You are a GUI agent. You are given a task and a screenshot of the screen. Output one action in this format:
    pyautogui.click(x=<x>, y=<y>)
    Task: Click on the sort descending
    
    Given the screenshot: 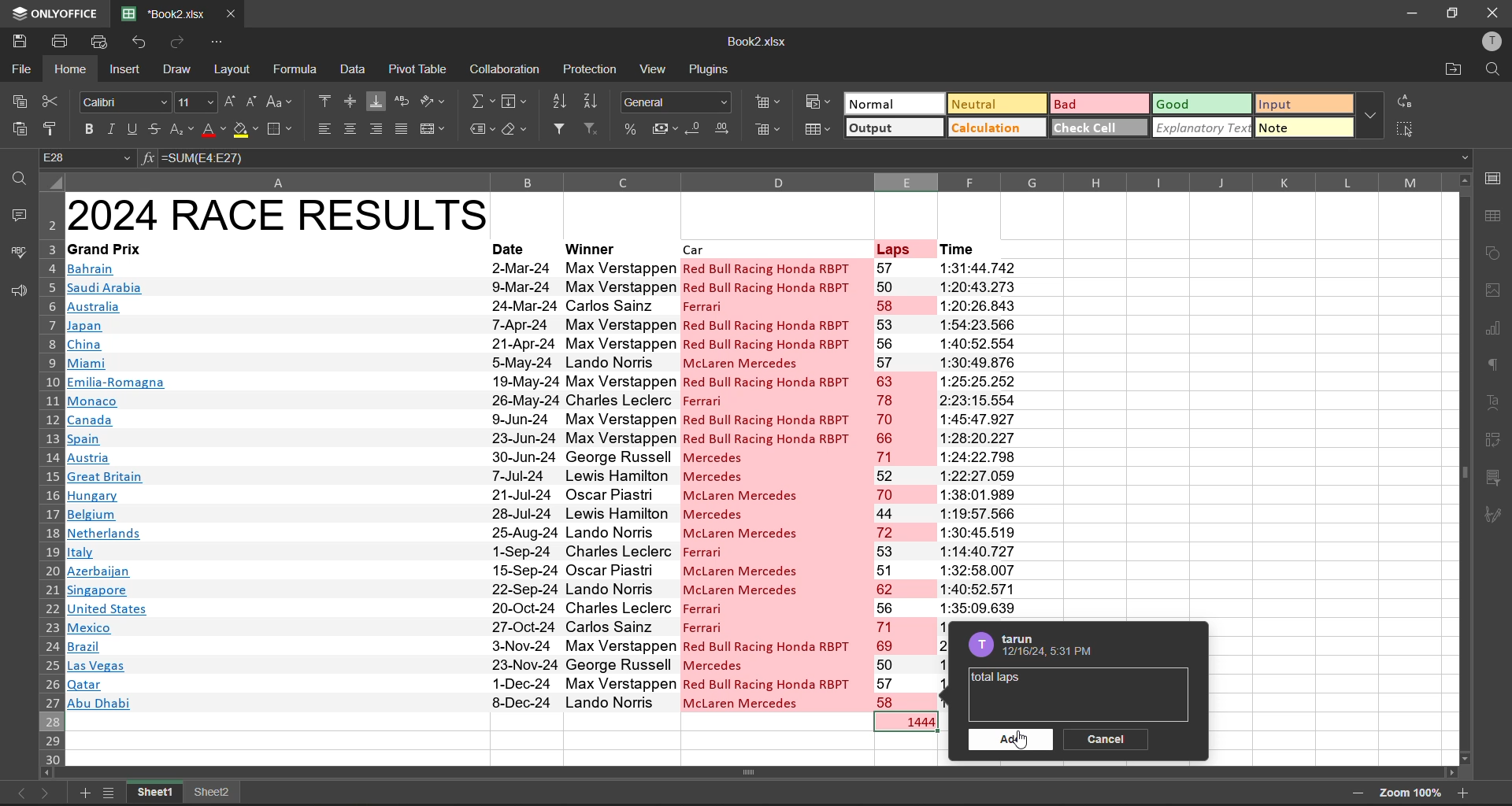 What is the action you would take?
    pyautogui.click(x=595, y=100)
    